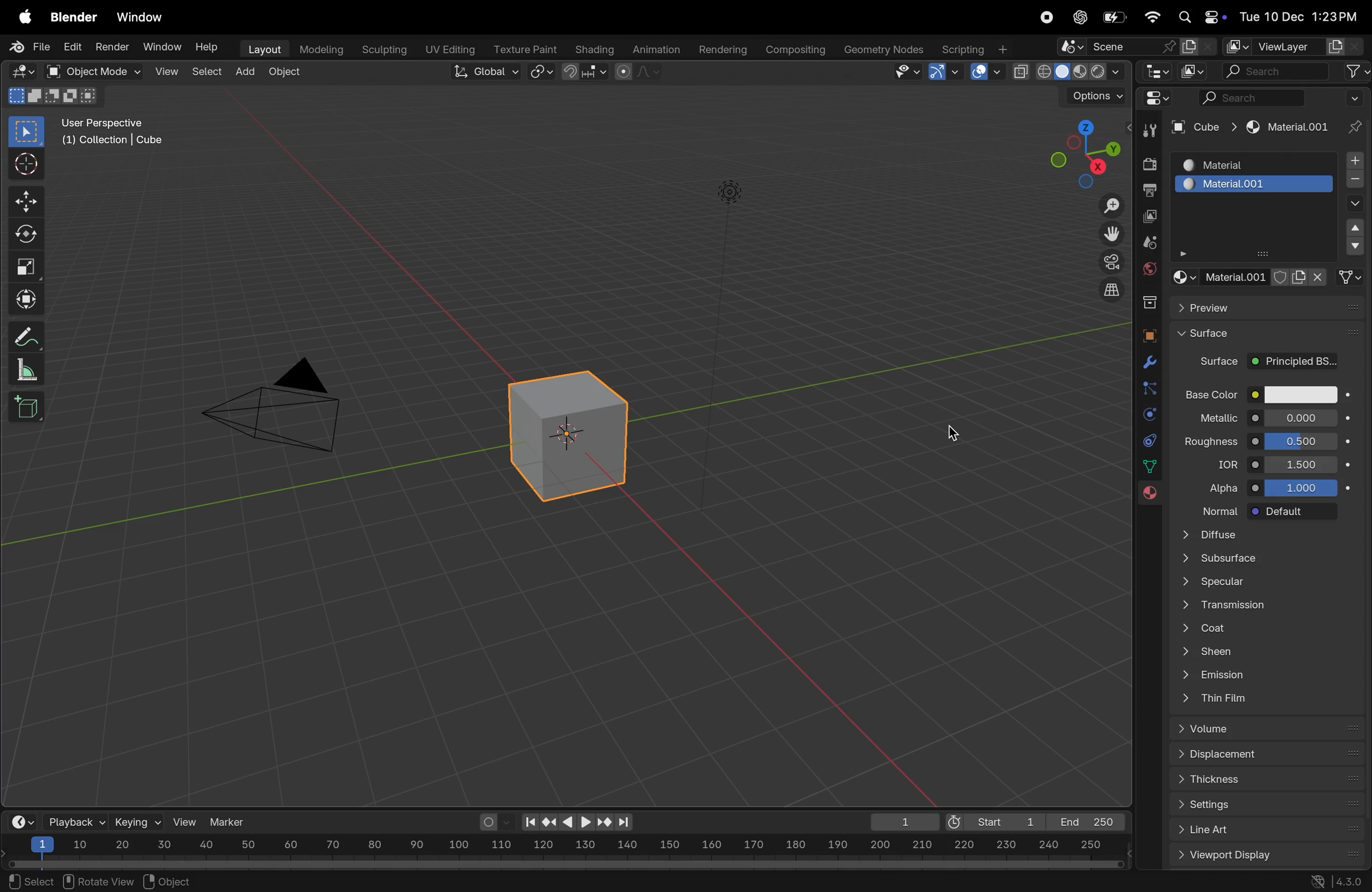 The image size is (1372, 892). I want to click on 3D cube , so click(564, 436).